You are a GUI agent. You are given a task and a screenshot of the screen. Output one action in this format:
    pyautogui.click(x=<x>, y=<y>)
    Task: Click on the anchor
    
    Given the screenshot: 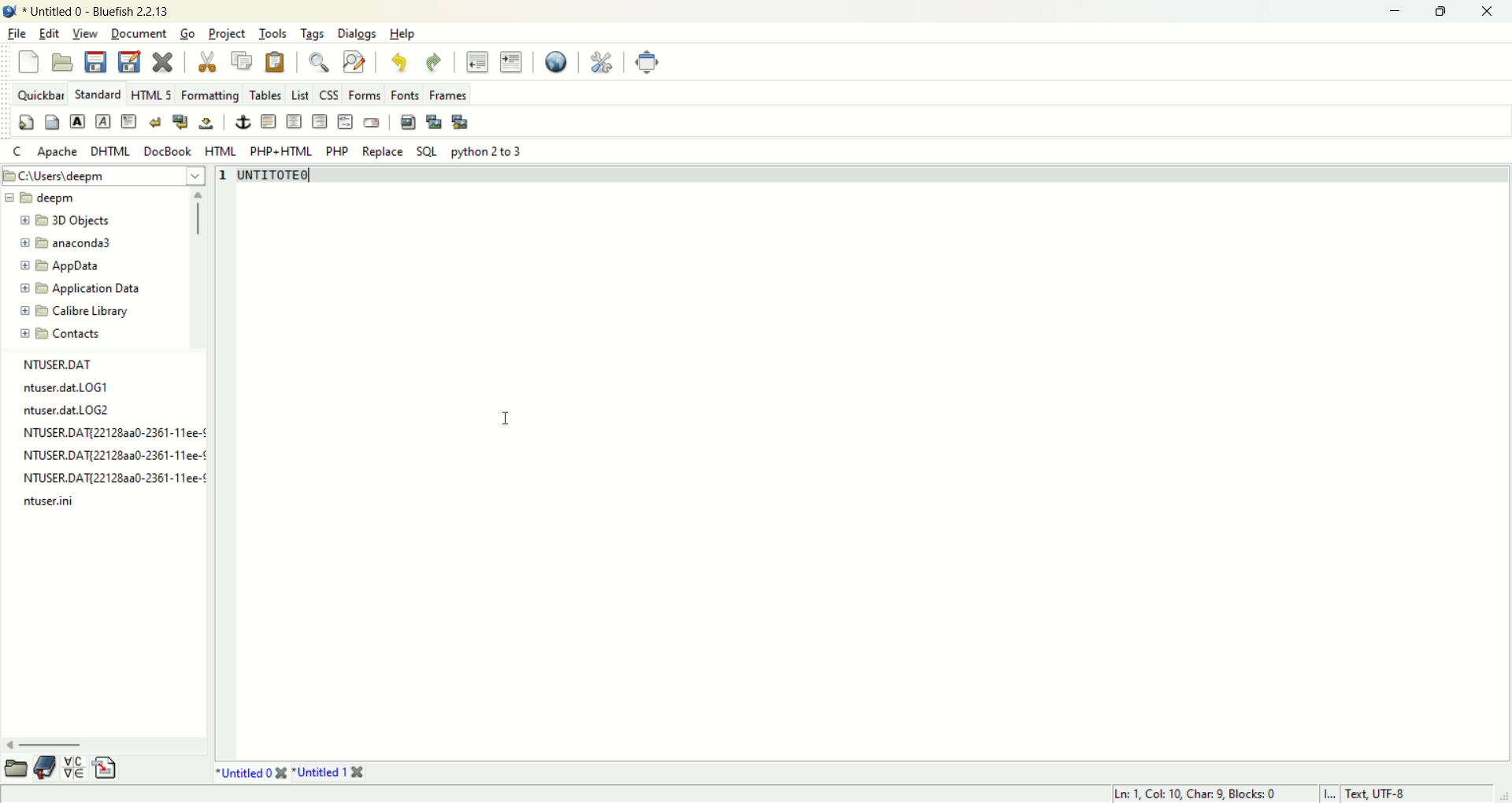 What is the action you would take?
    pyautogui.click(x=243, y=122)
    